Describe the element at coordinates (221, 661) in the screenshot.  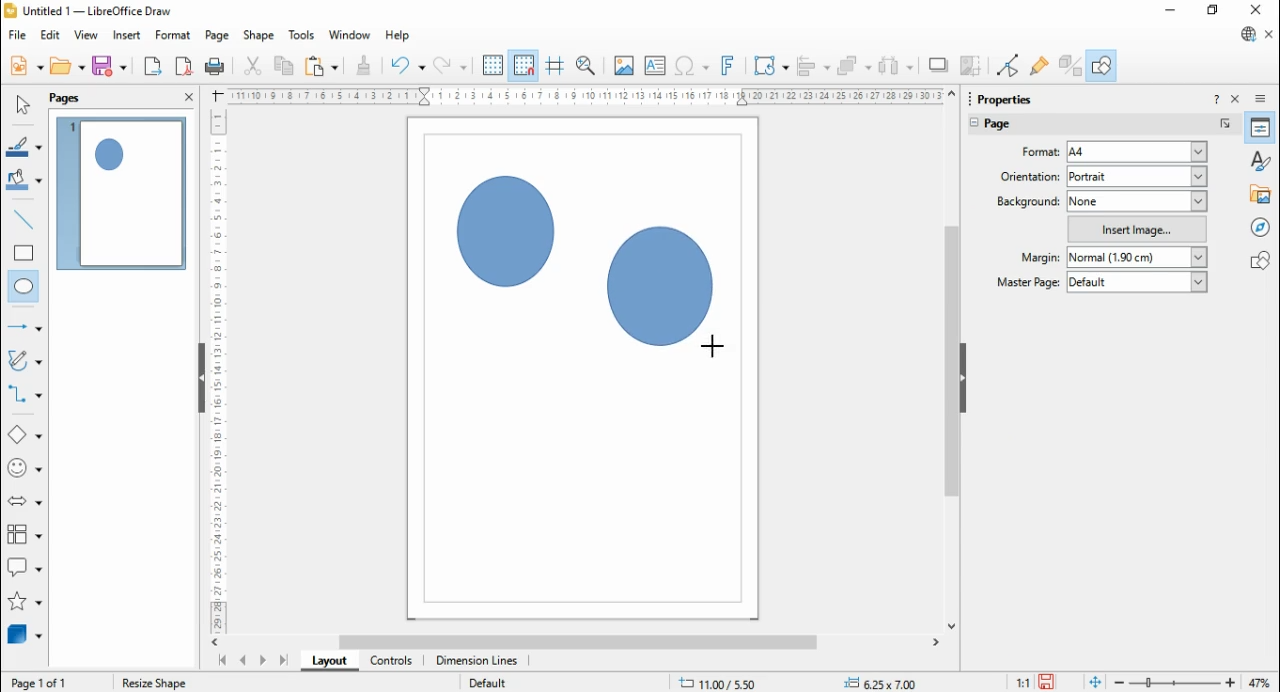
I see `first page` at that location.